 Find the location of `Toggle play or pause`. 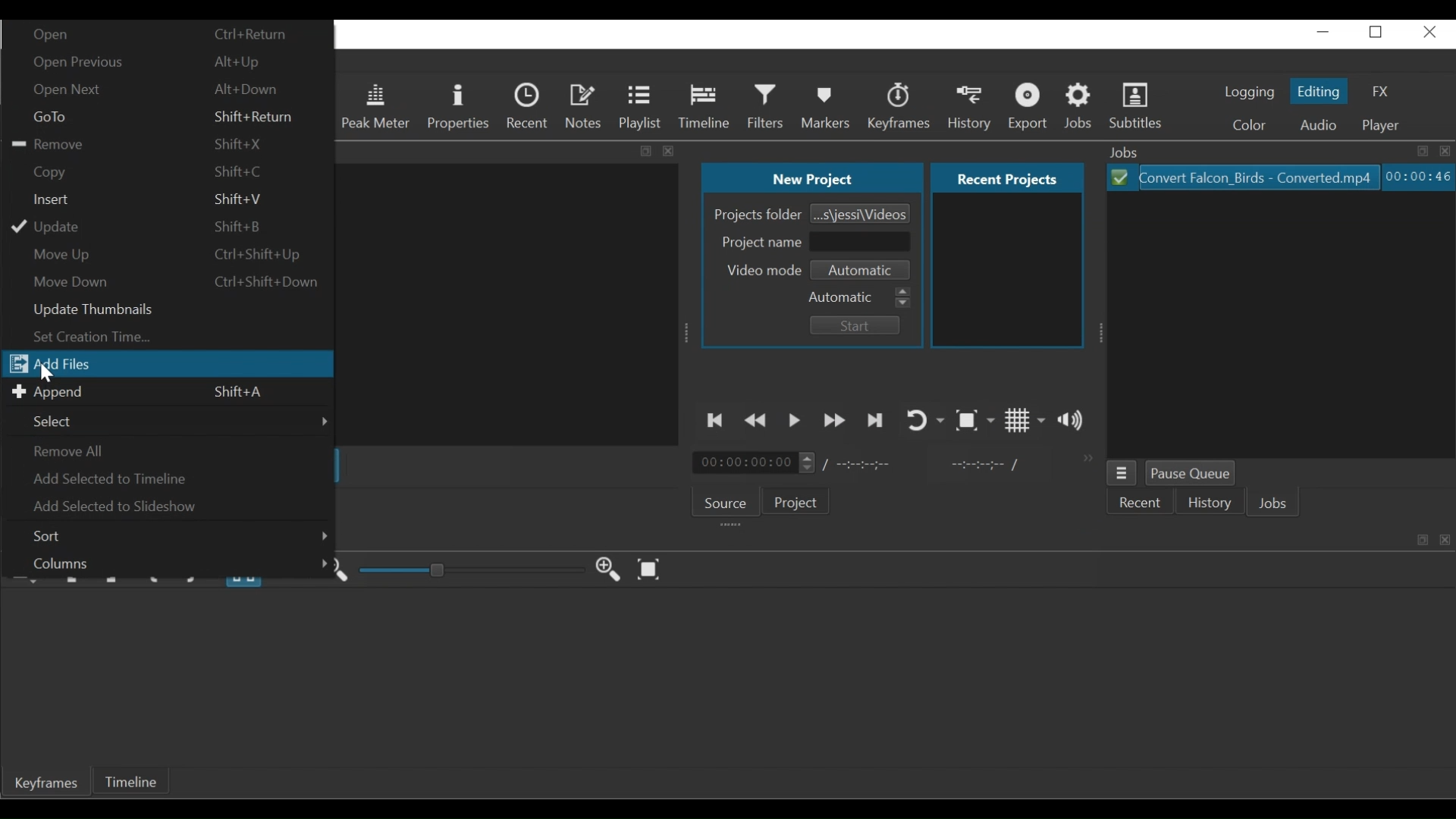

Toggle play or pause is located at coordinates (795, 419).